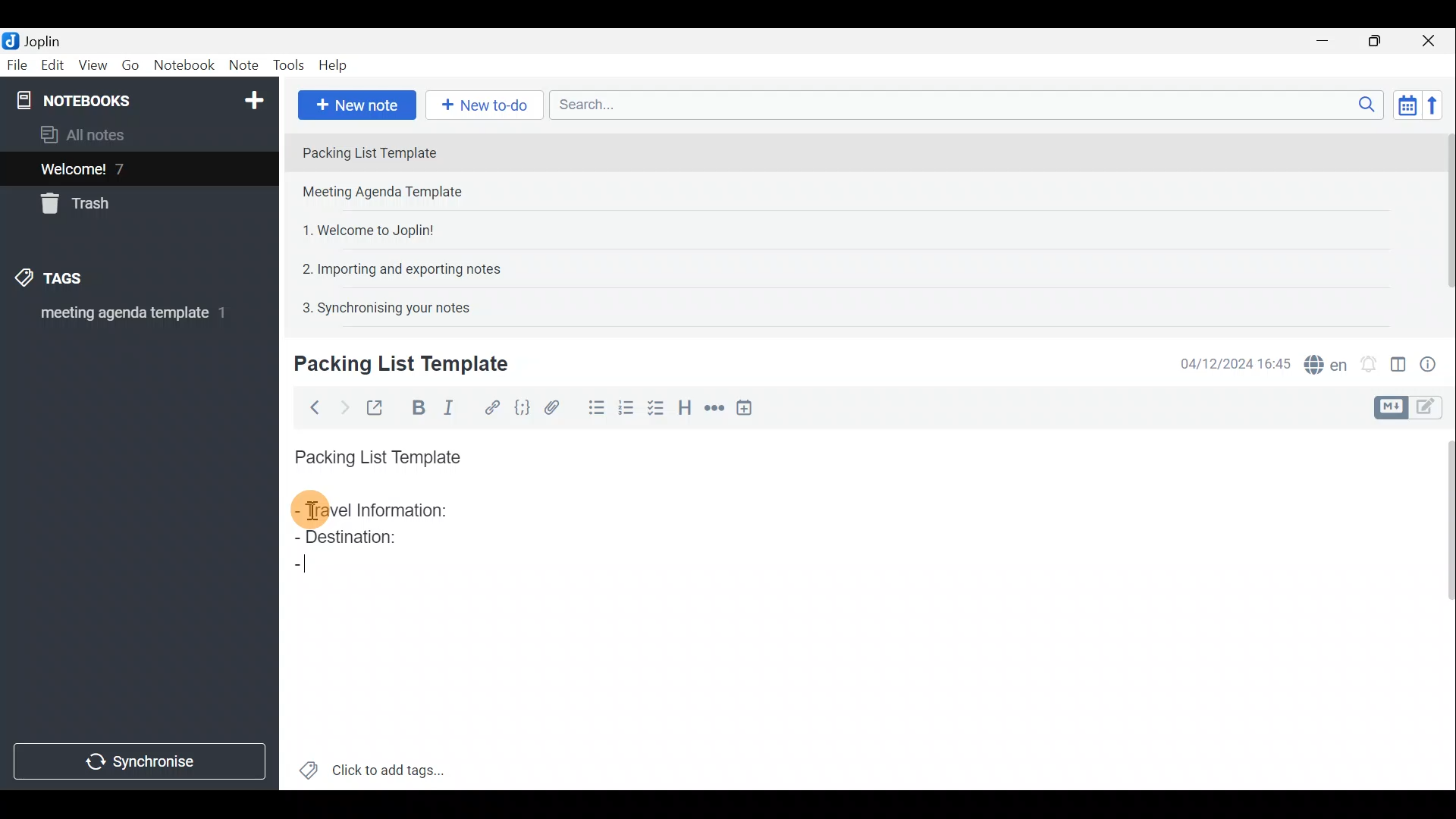 This screenshot has width=1456, height=819. What do you see at coordinates (310, 569) in the screenshot?
I see `Cursor` at bounding box center [310, 569].